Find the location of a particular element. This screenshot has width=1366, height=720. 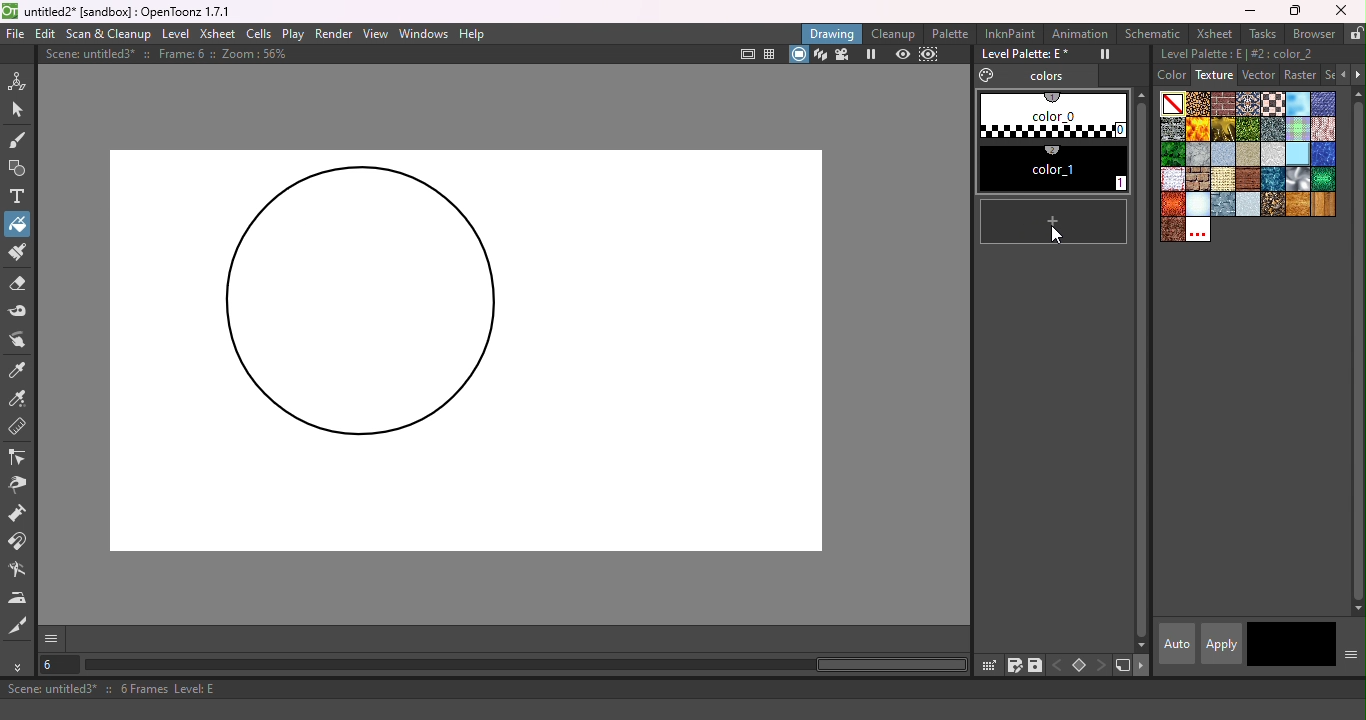

Brush tool is located at coordinates (19, 140).